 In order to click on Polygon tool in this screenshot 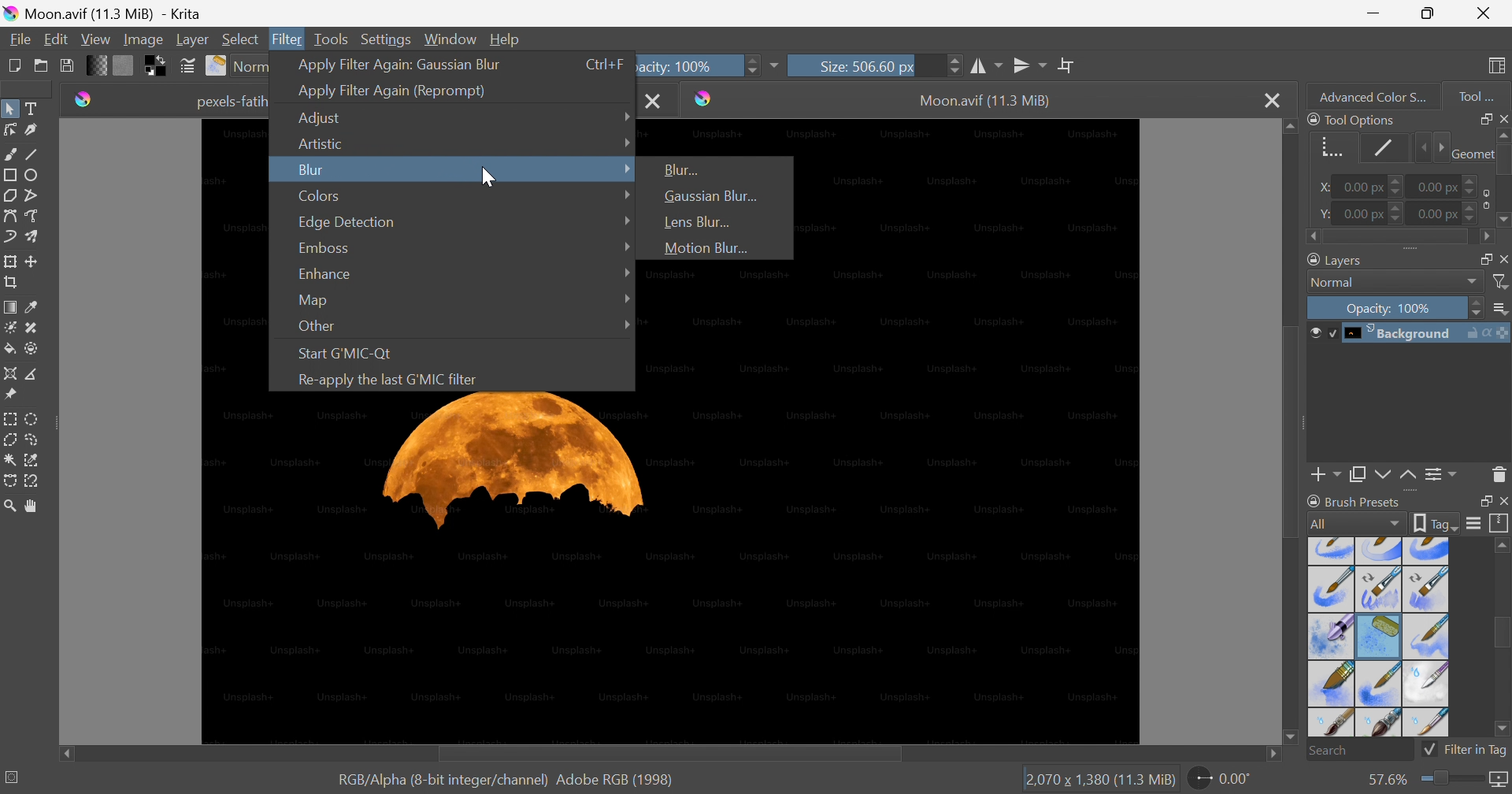, I will do `click(9, 195)`.